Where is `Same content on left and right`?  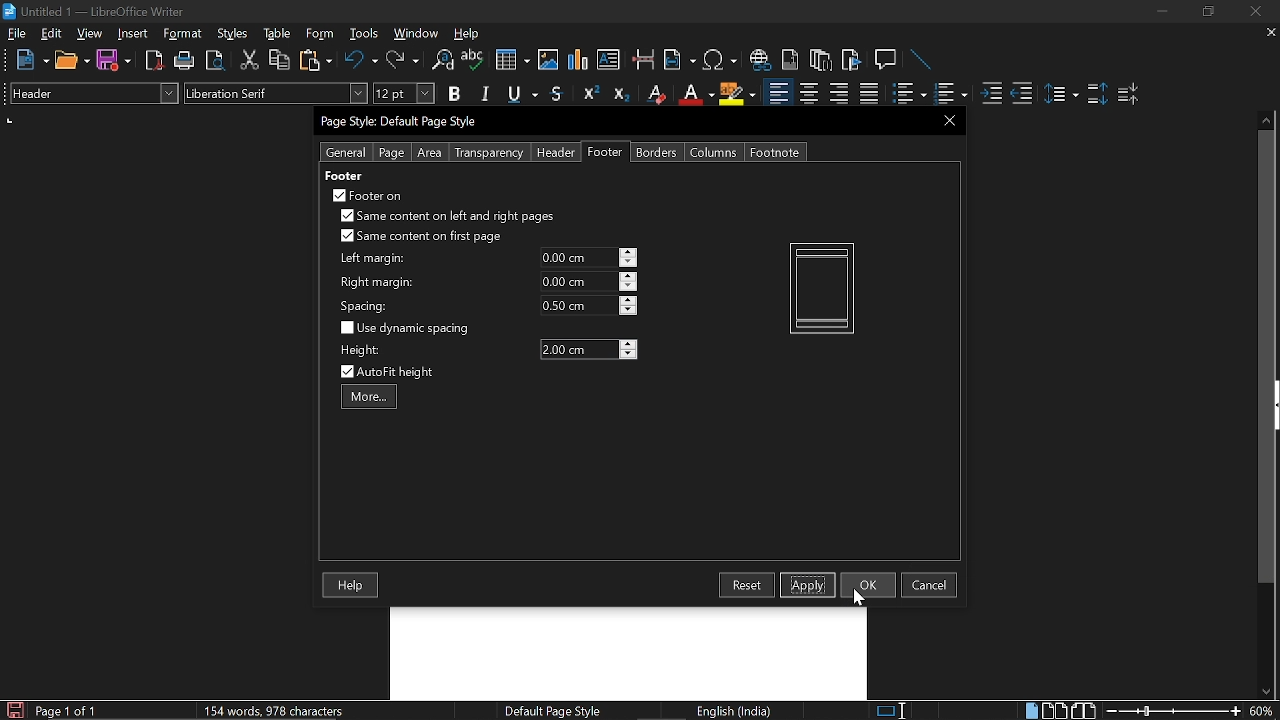
Same content on left and right is located at coordinates (446, 218).